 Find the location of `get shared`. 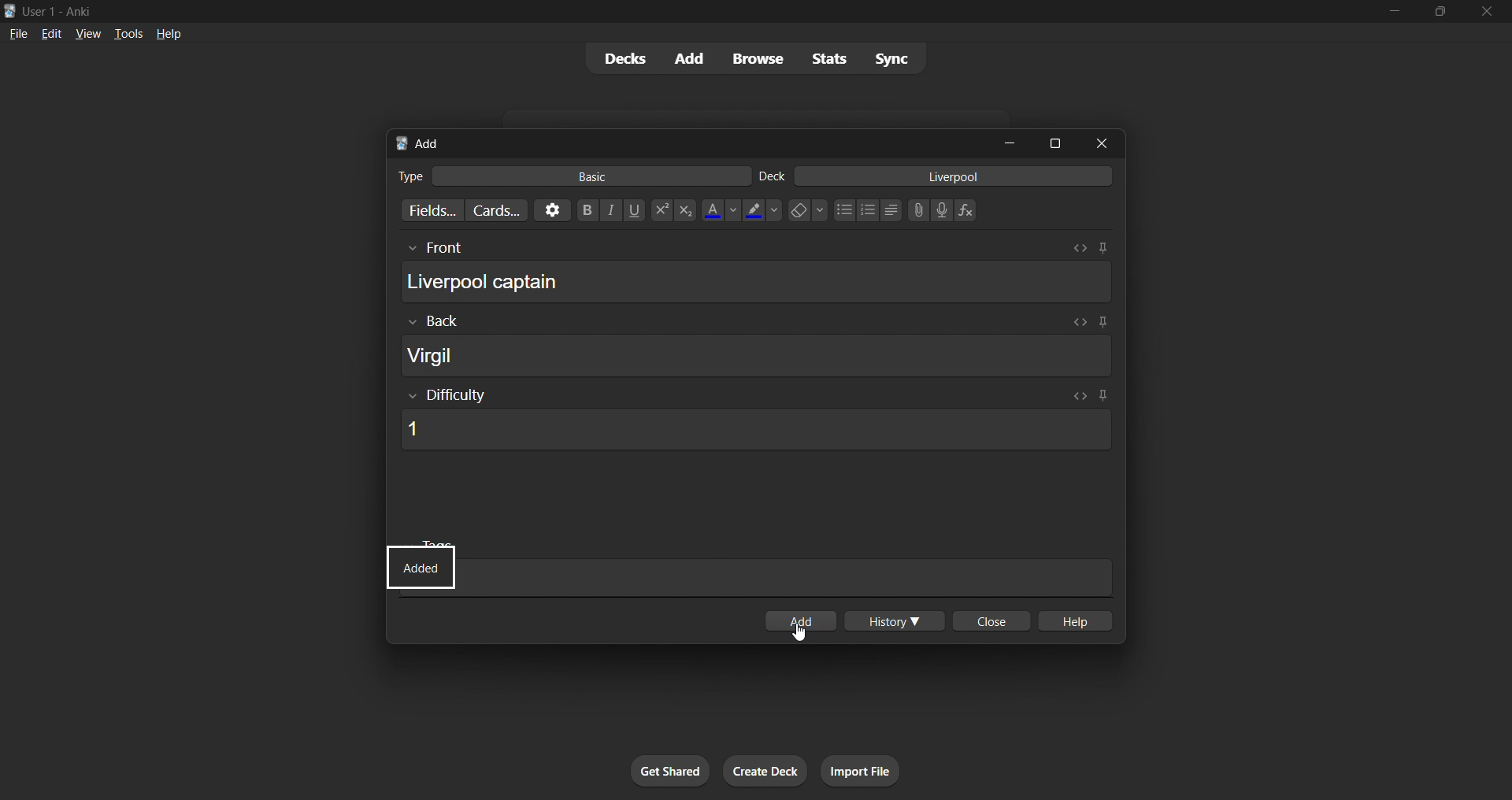

get shared is located at coordinates (670, 771).